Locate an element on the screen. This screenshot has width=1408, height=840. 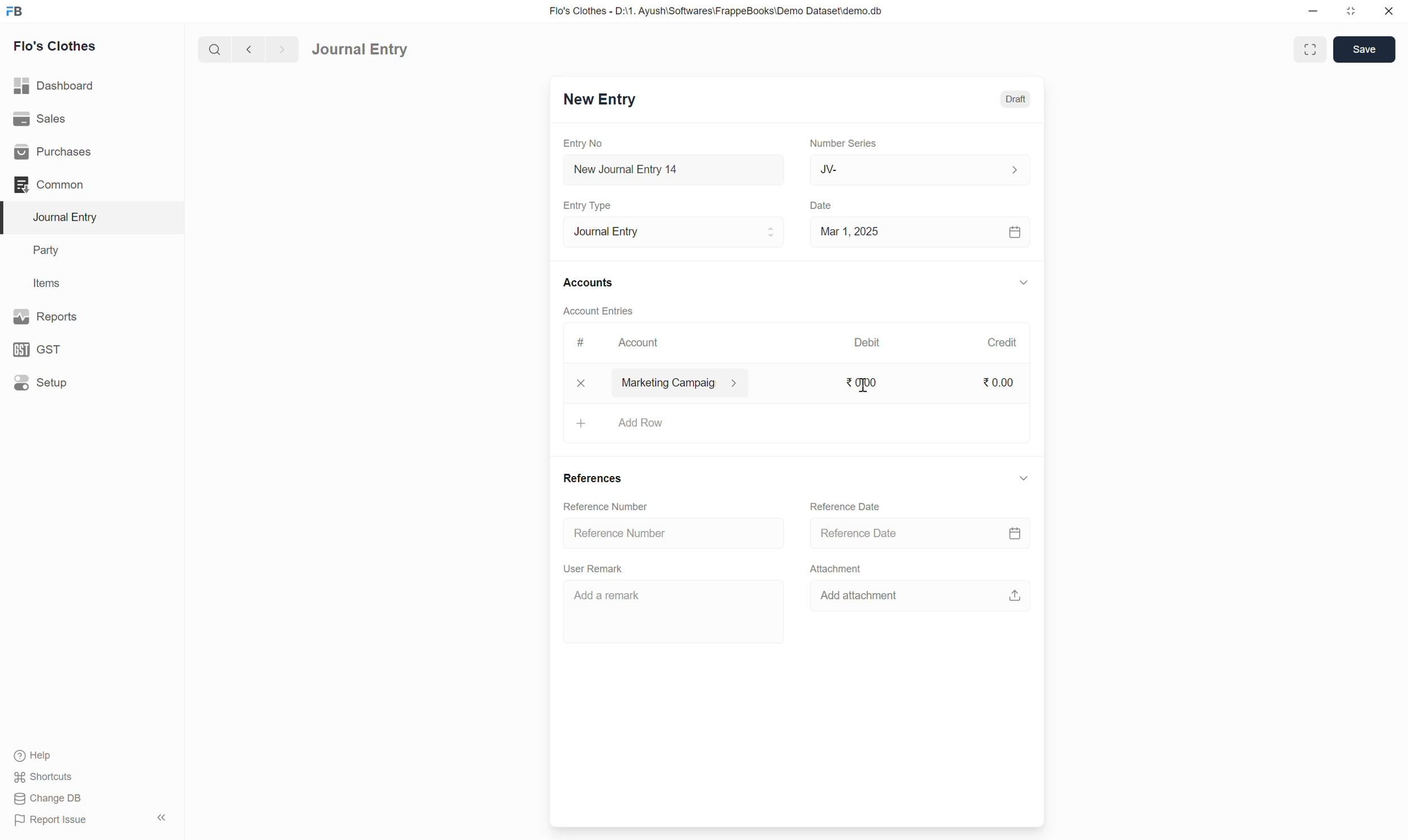
Reports is located at coordinates (49, 316).